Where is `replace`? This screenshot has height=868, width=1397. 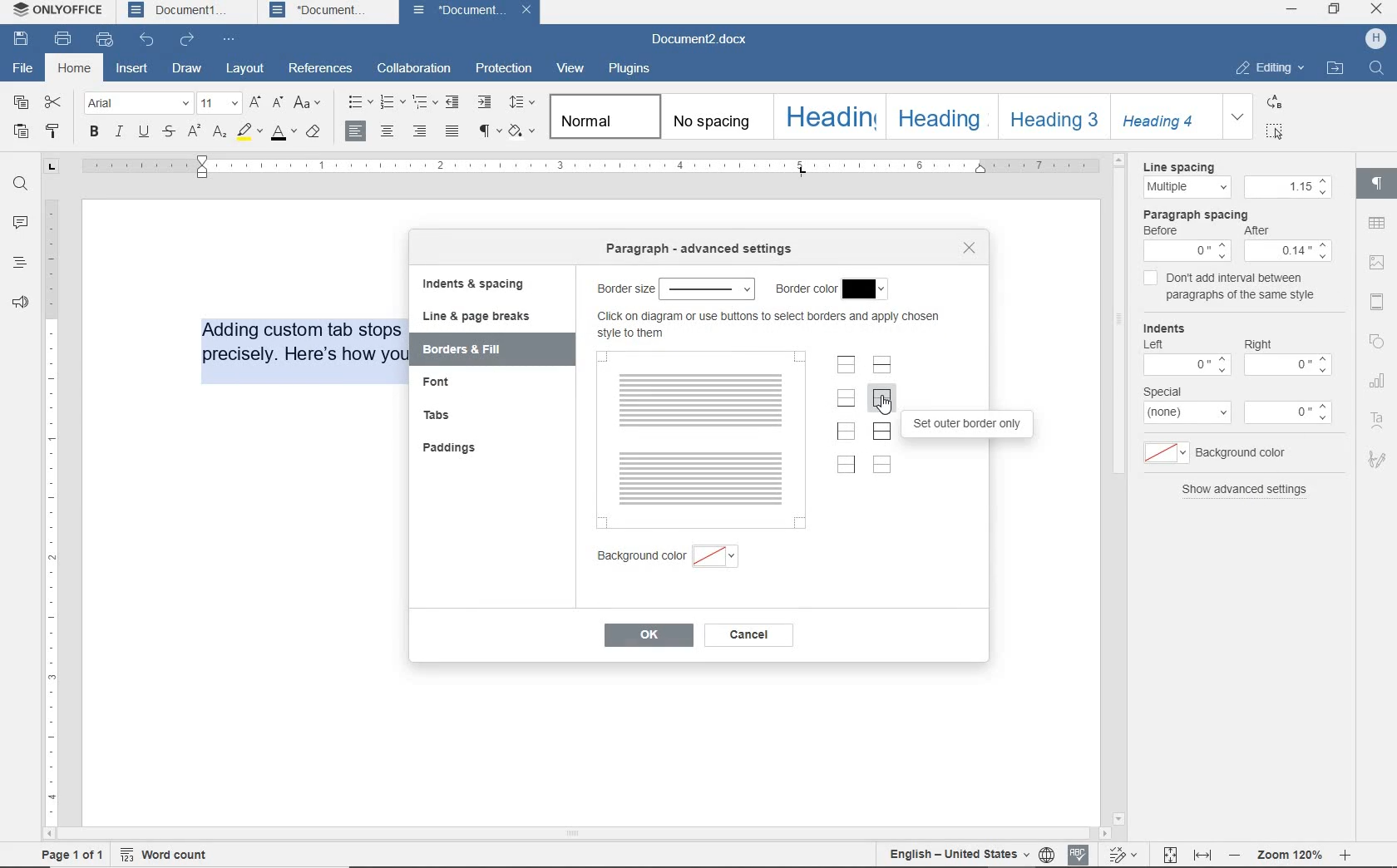
replace is located at coordinates (1276, 103).